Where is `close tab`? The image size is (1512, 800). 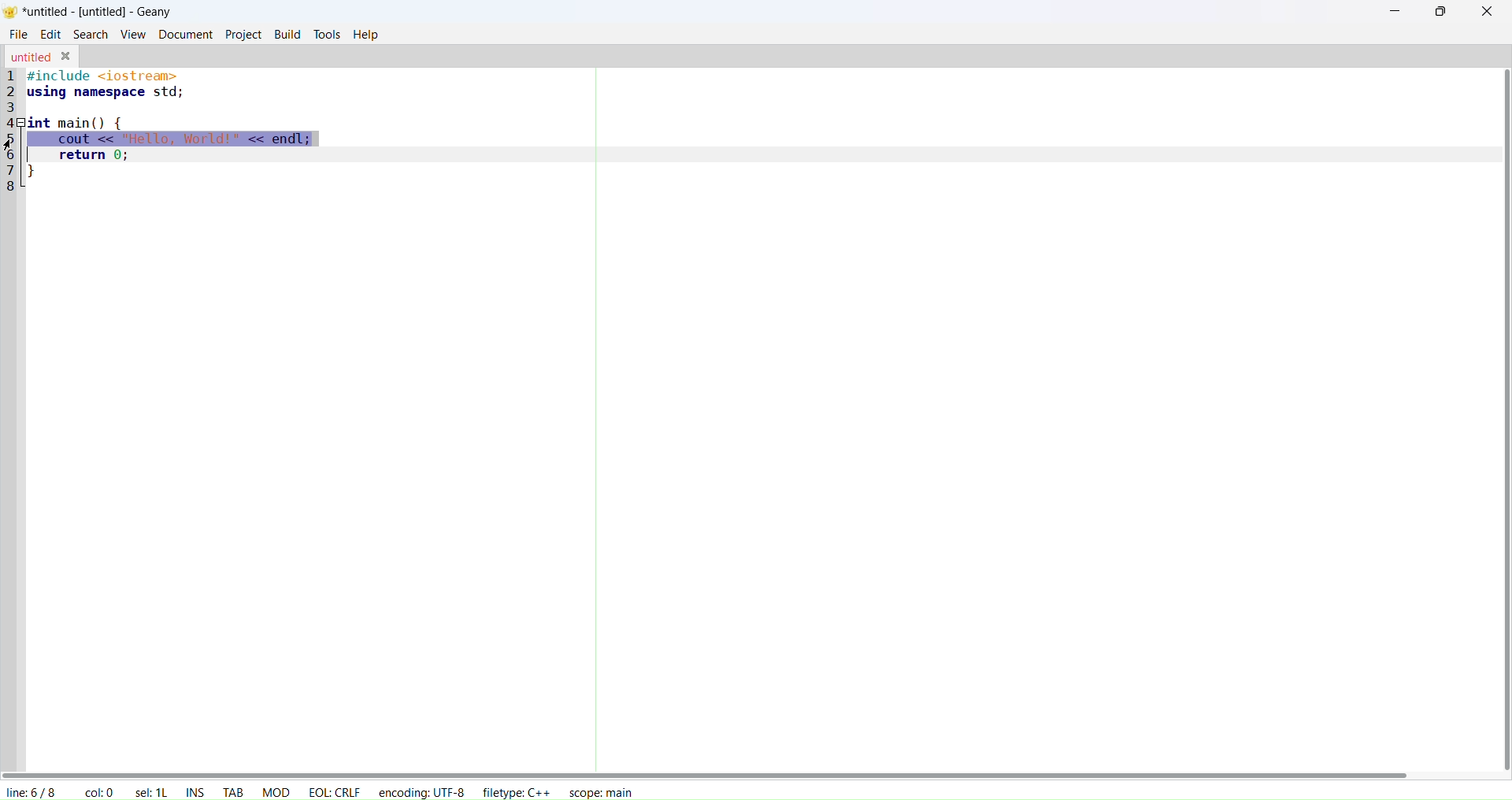
close tab is located at coordinates (67, 54).